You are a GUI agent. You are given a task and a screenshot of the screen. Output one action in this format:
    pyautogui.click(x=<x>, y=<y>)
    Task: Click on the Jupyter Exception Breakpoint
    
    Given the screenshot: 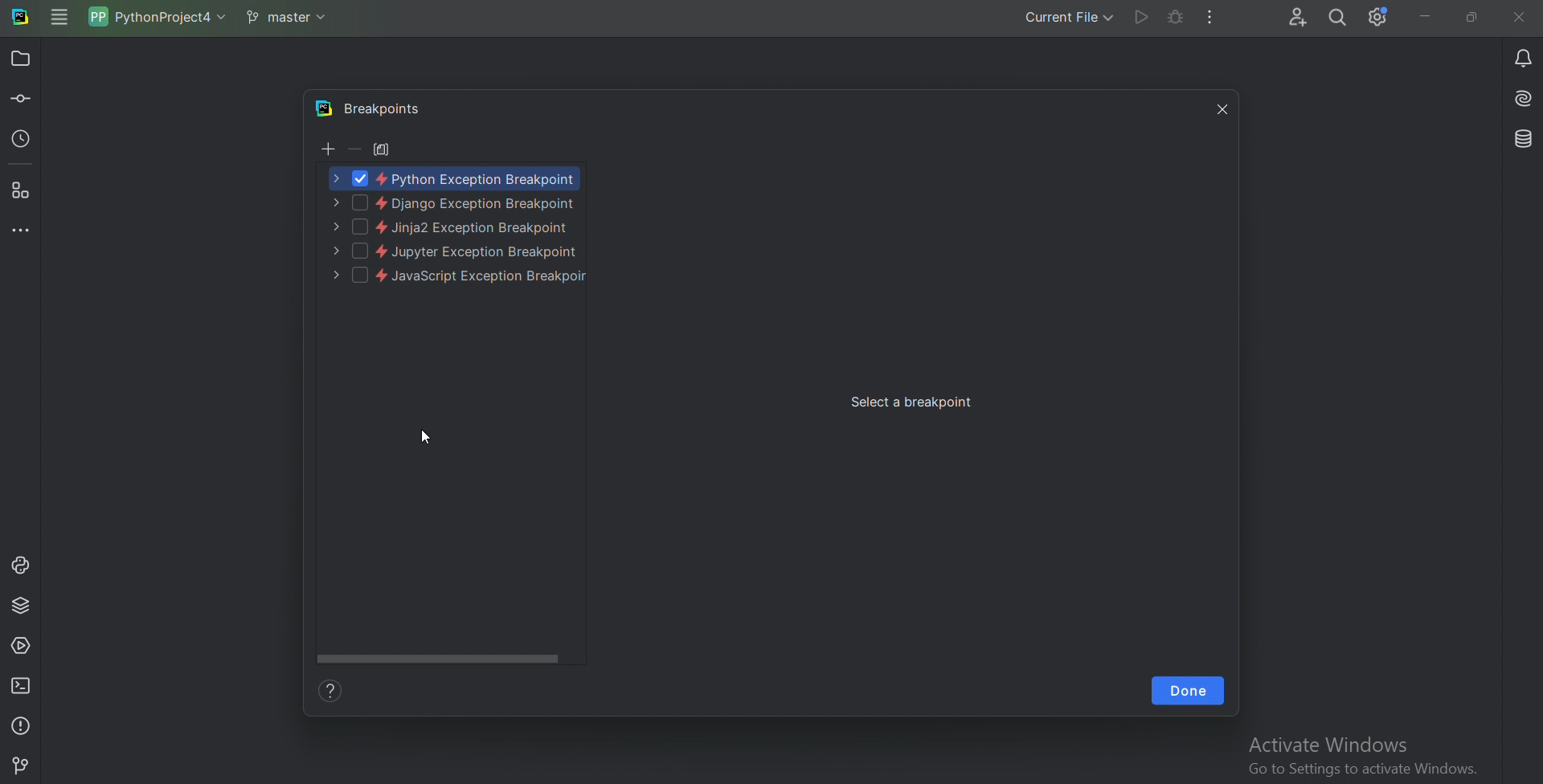 What is the action you would take?
    pyautogui.click(x=456, y=251)
    